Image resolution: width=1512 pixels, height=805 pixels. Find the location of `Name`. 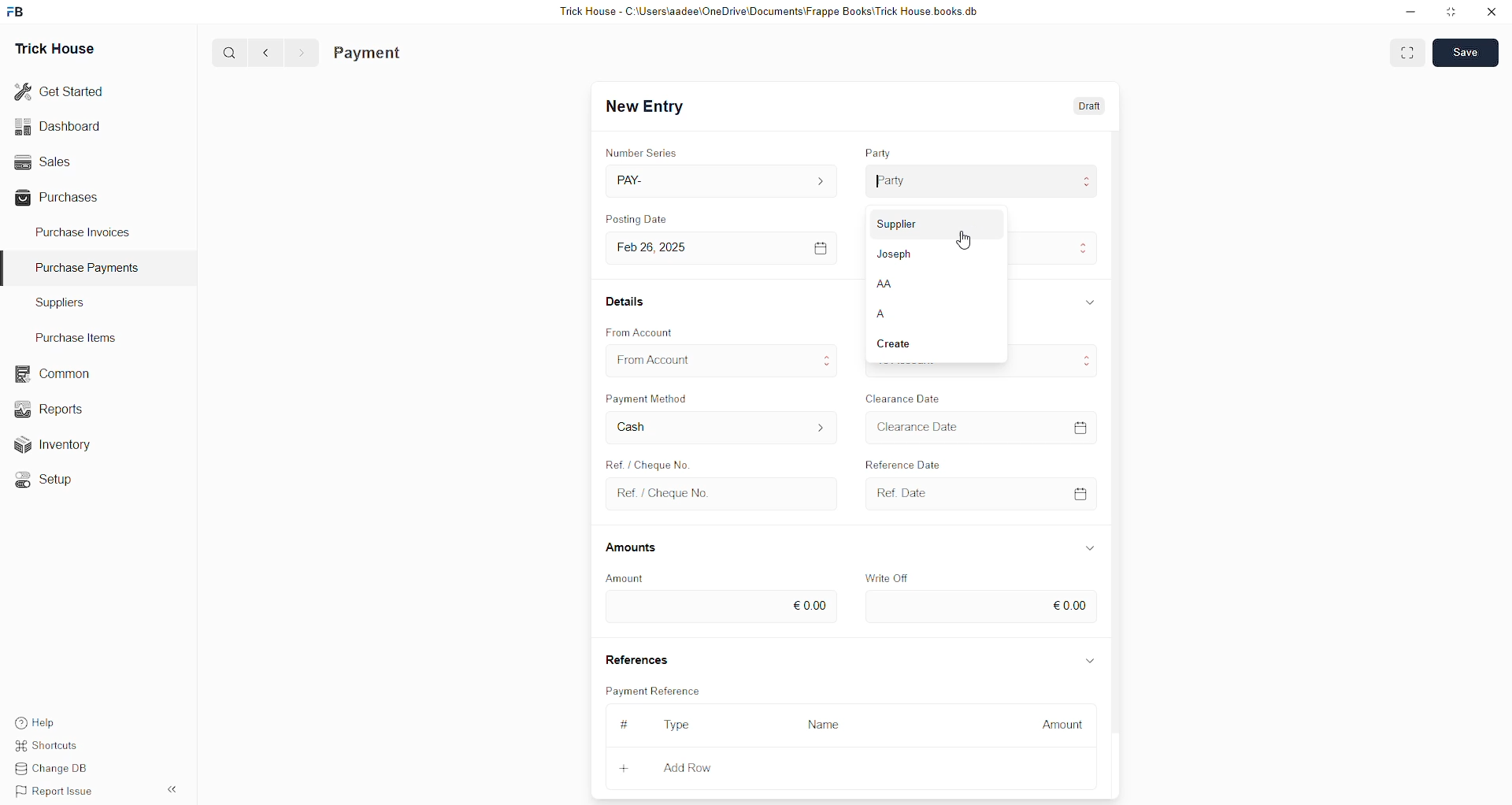

Name is located at coordinates (824, 725).